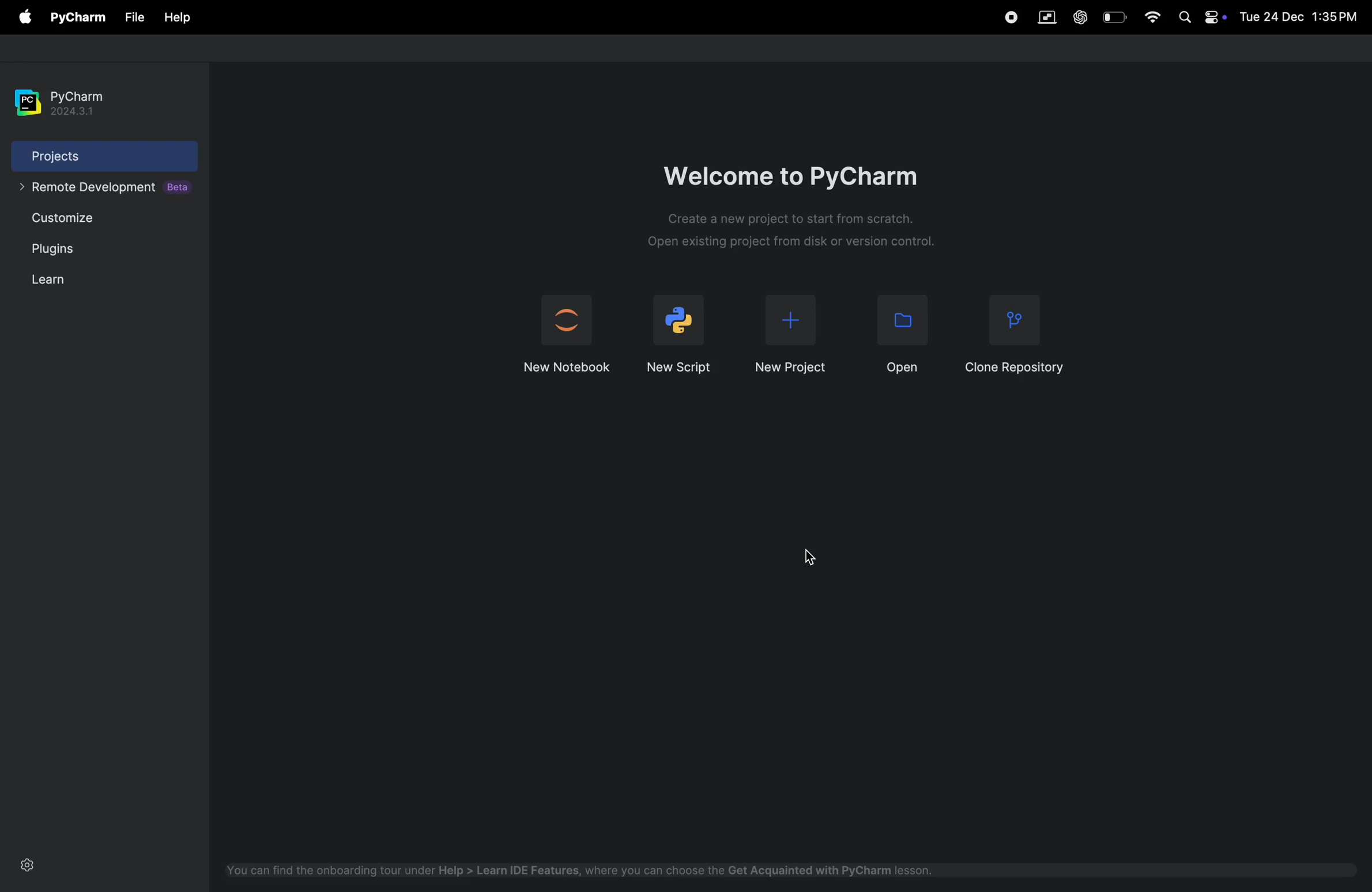 The height and width of the screenshot is (892, 1372). What do you see at coordinates (1183, 18) in the screenshot?
I see `spotlight search` at bounding box center [1183, 18].